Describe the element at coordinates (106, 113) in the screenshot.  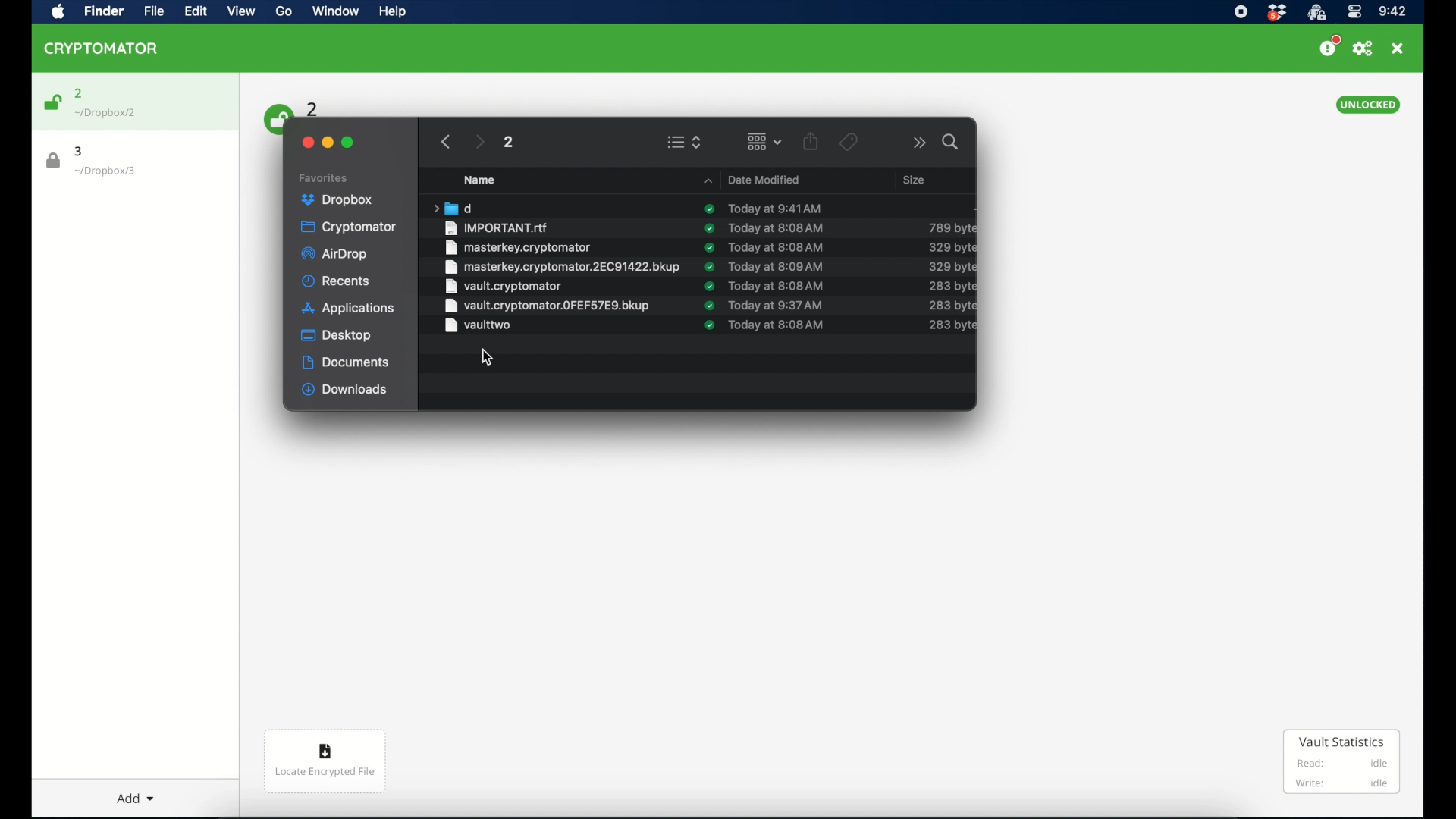
I see `location` at that location.